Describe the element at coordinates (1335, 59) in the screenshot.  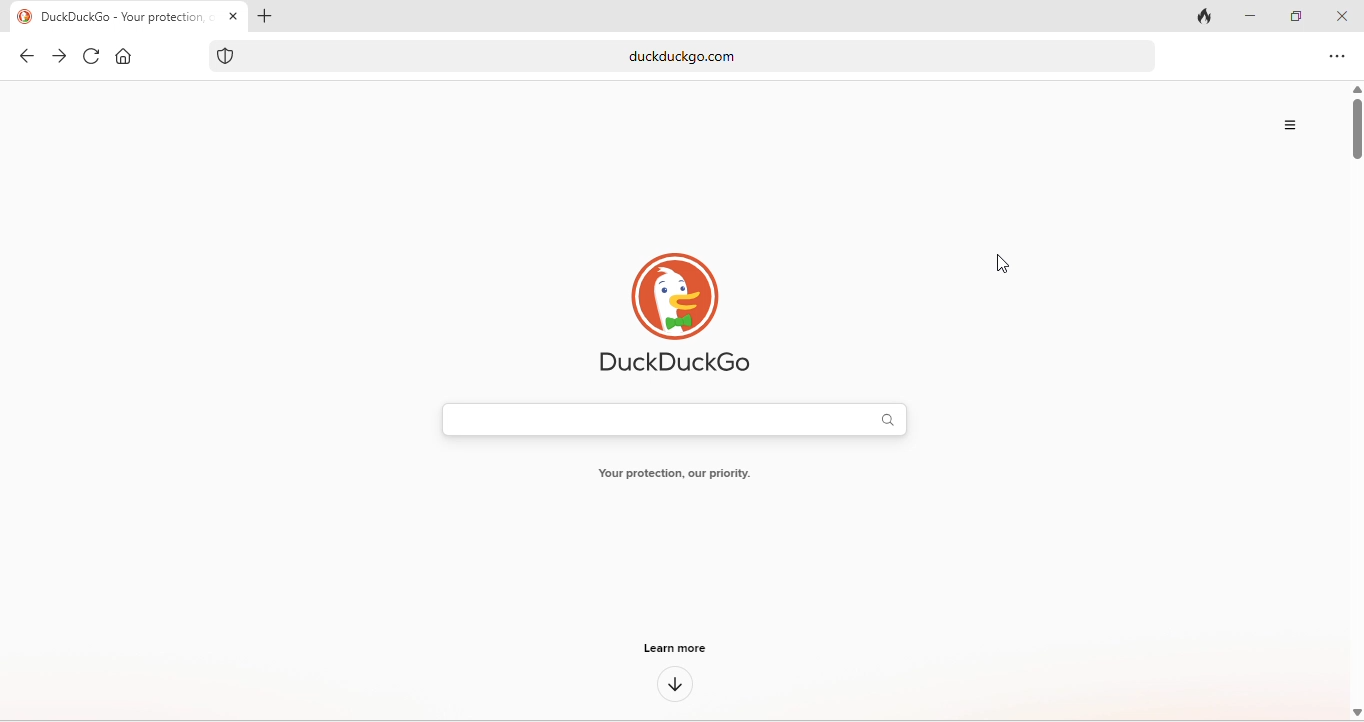
I see `options` at that location.